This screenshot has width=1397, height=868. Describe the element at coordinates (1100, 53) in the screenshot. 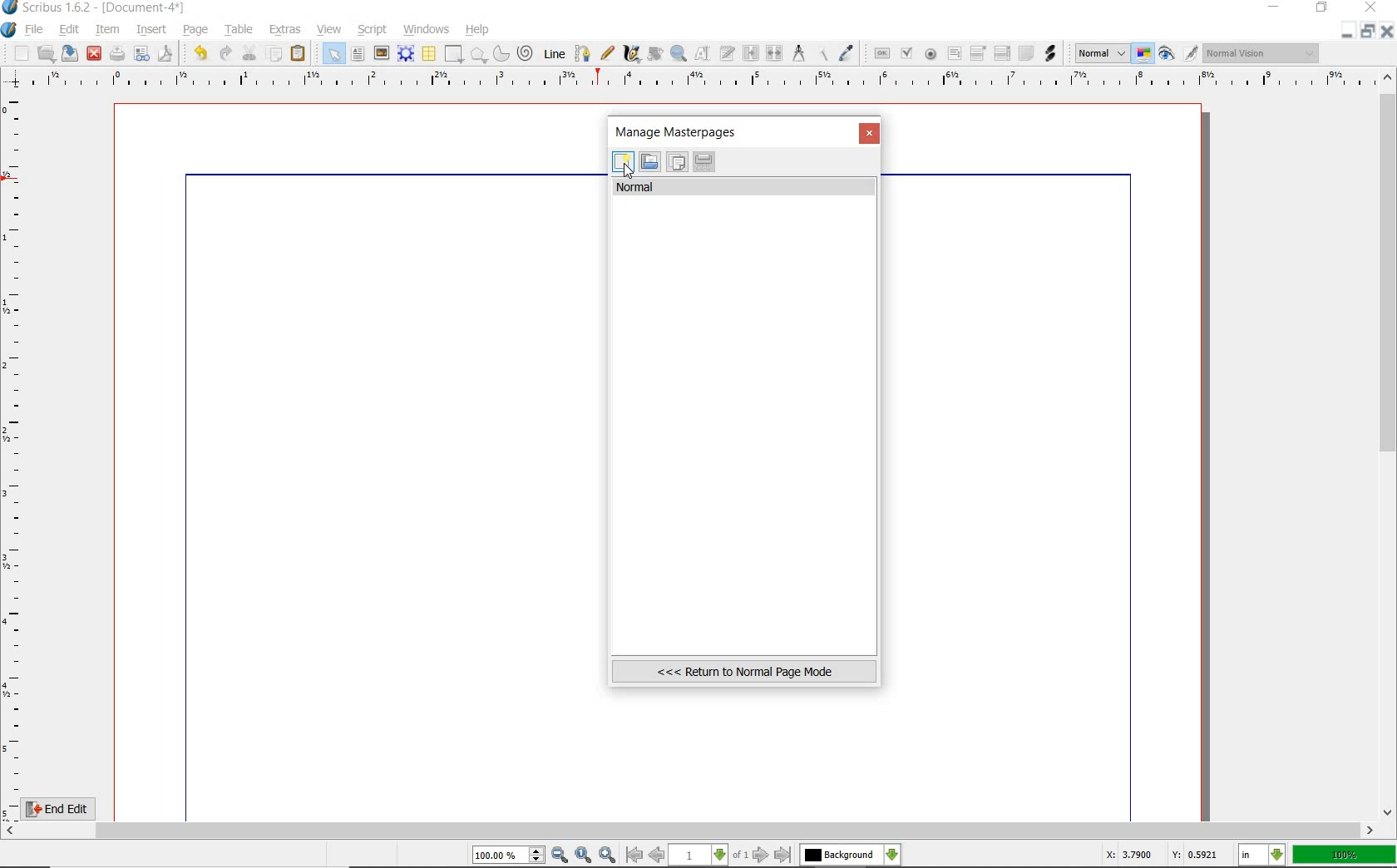

I see `Normal` at that location.